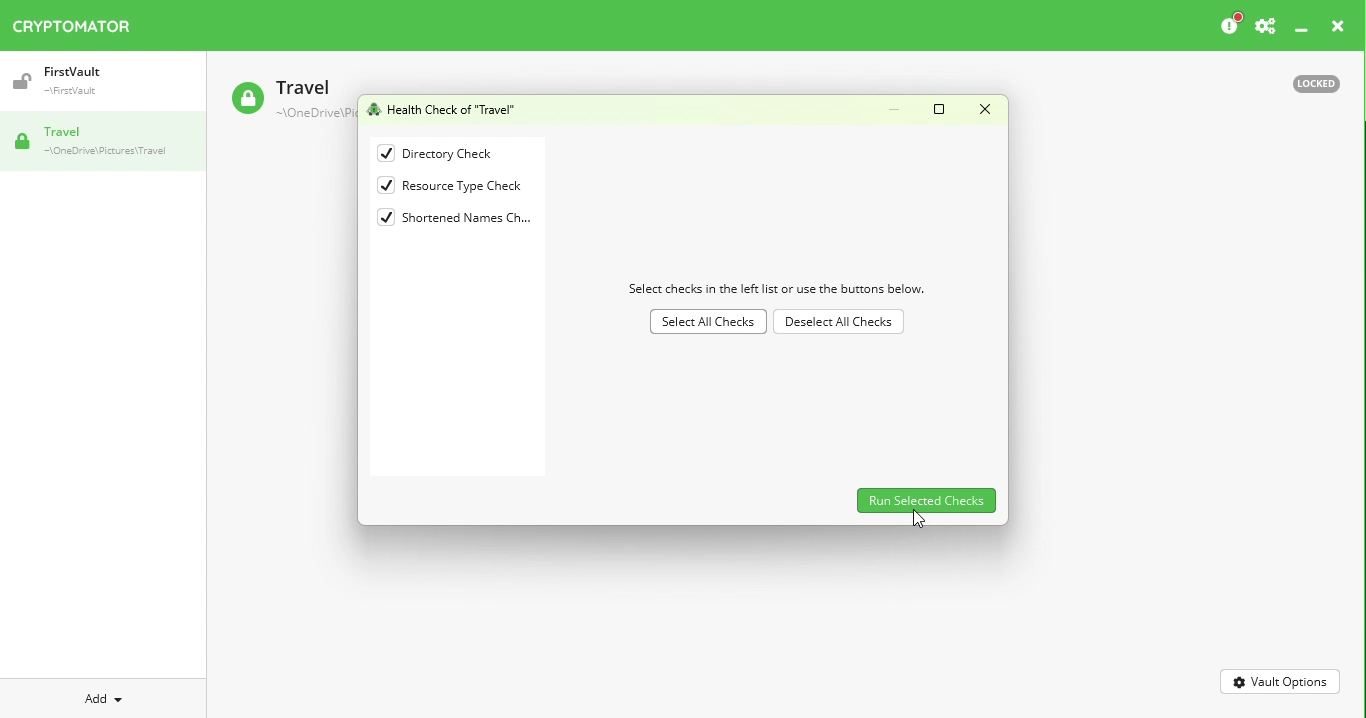 This screenshot has height=718, width=1366. I want to click on checked checkbox, so click(383, 216).